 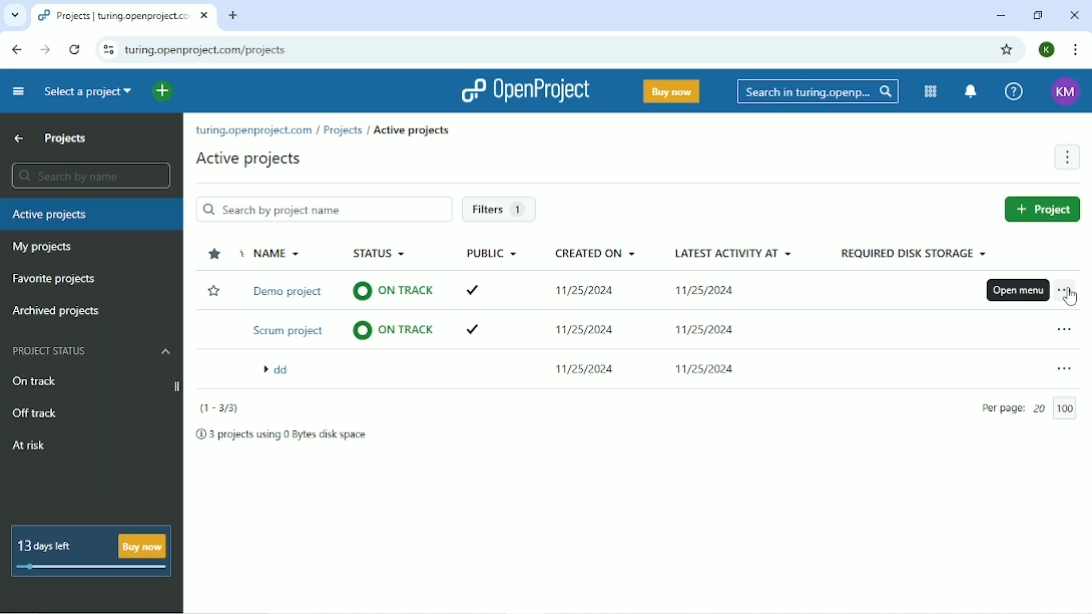 I want to click on View site information, so click(x=108, y=48).